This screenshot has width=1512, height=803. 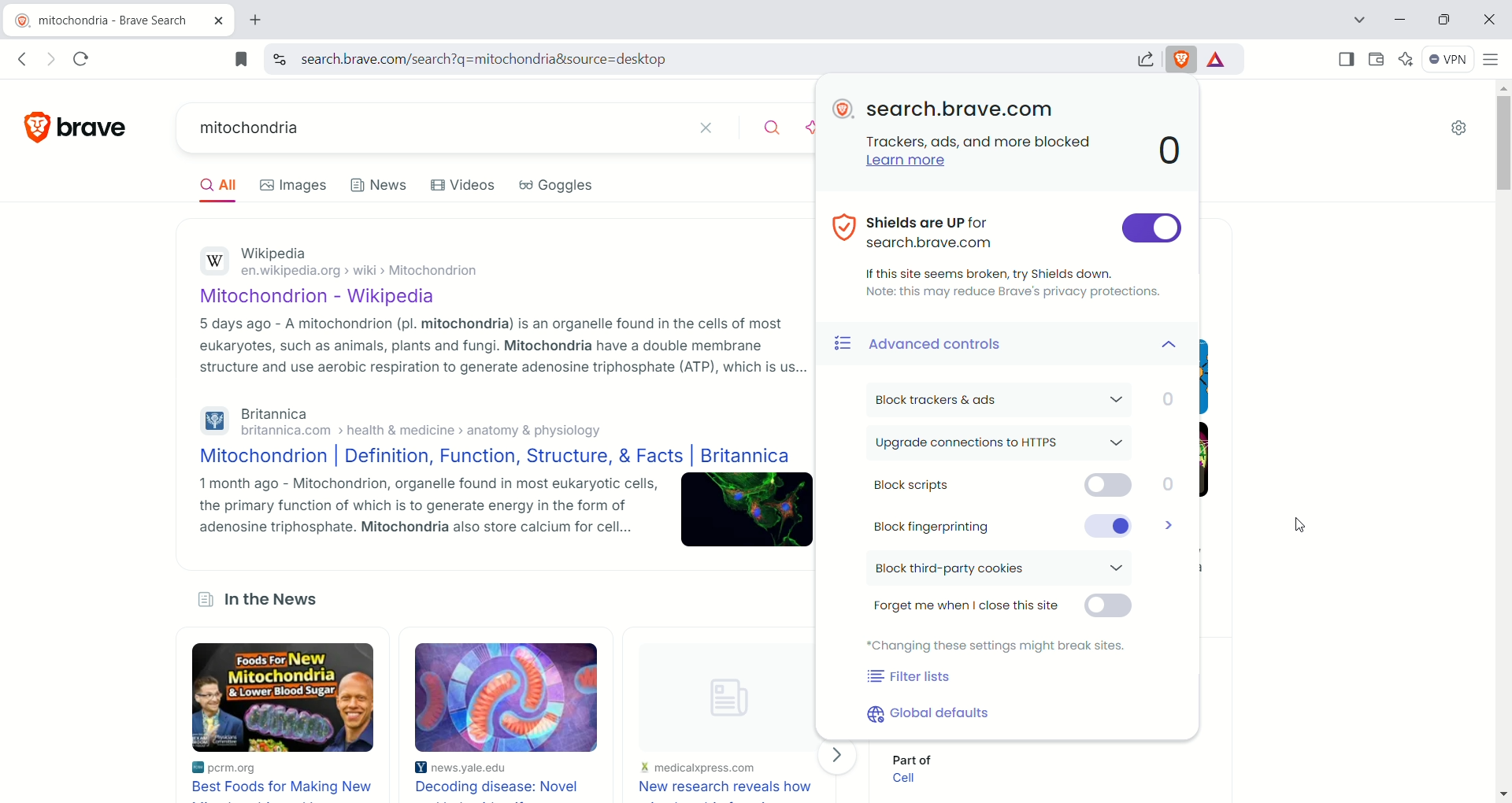 I want to click on Image, so click(x=506, y=697).